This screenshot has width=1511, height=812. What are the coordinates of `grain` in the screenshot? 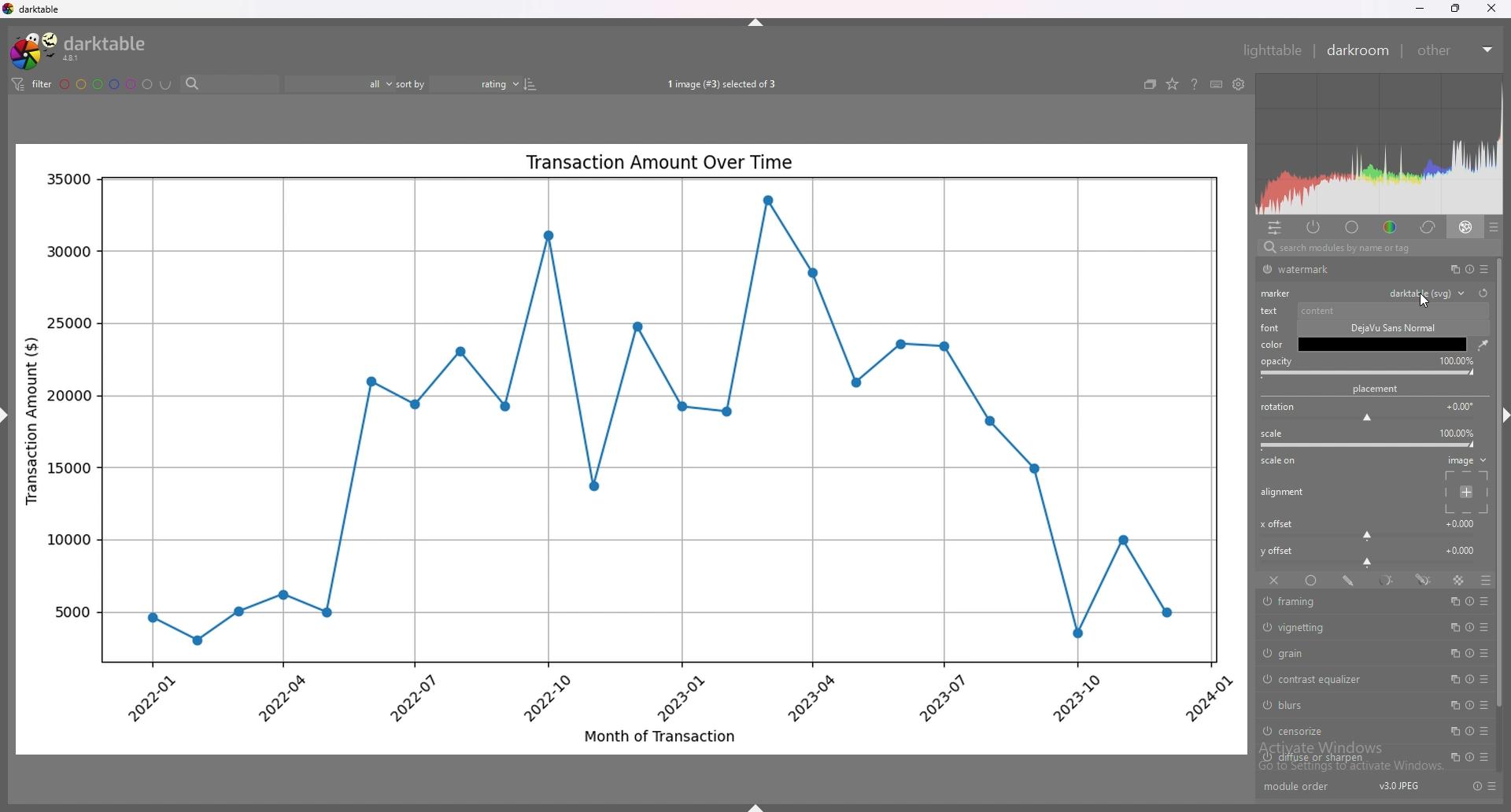 It's located at (1342, 652).